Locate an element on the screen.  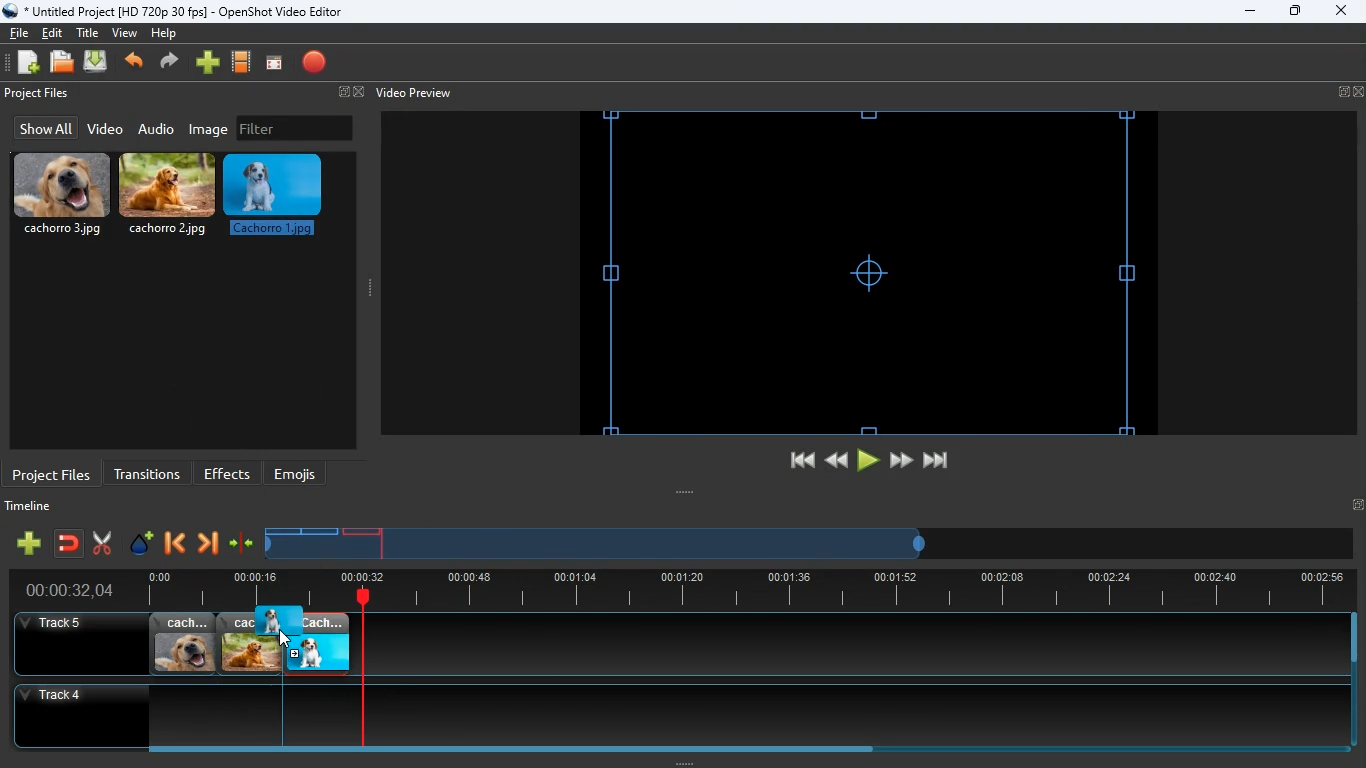
time is located at coordinates (61, 590).